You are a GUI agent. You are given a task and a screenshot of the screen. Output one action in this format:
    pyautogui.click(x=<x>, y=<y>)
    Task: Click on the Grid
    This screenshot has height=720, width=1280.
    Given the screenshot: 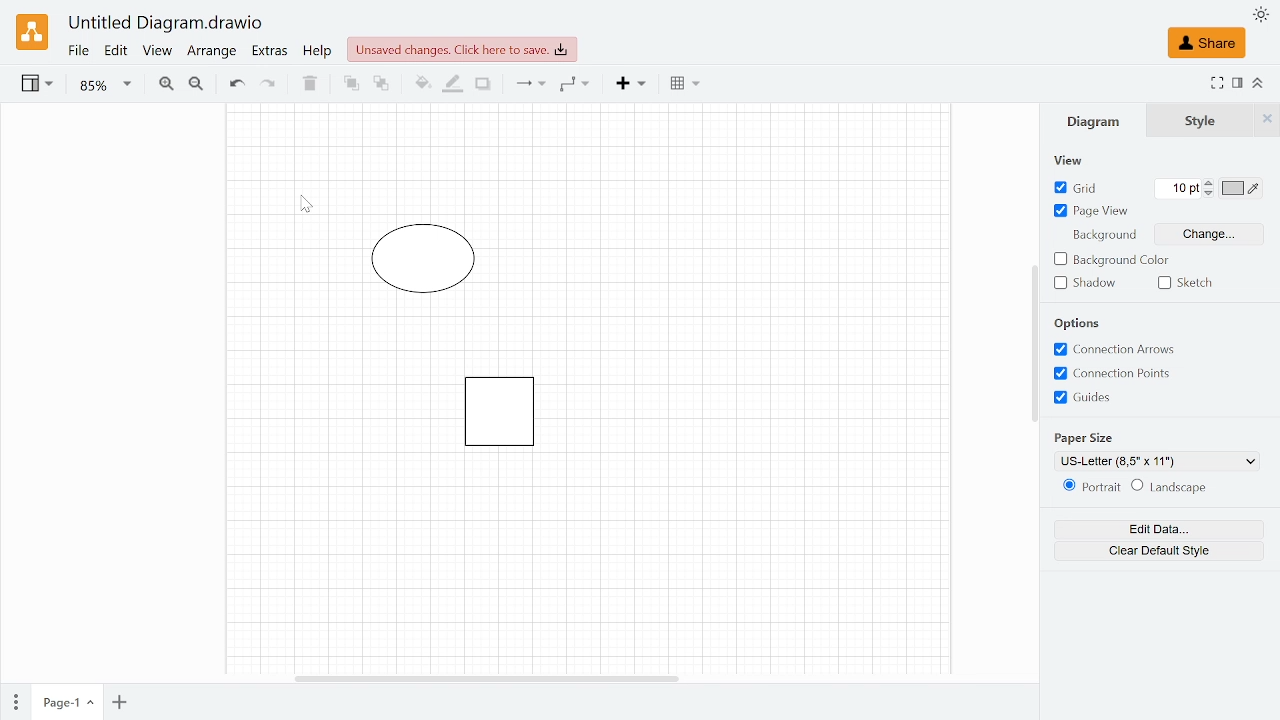 What is the action you would take?
    pyautogui.click(x=1078, y=189)
    